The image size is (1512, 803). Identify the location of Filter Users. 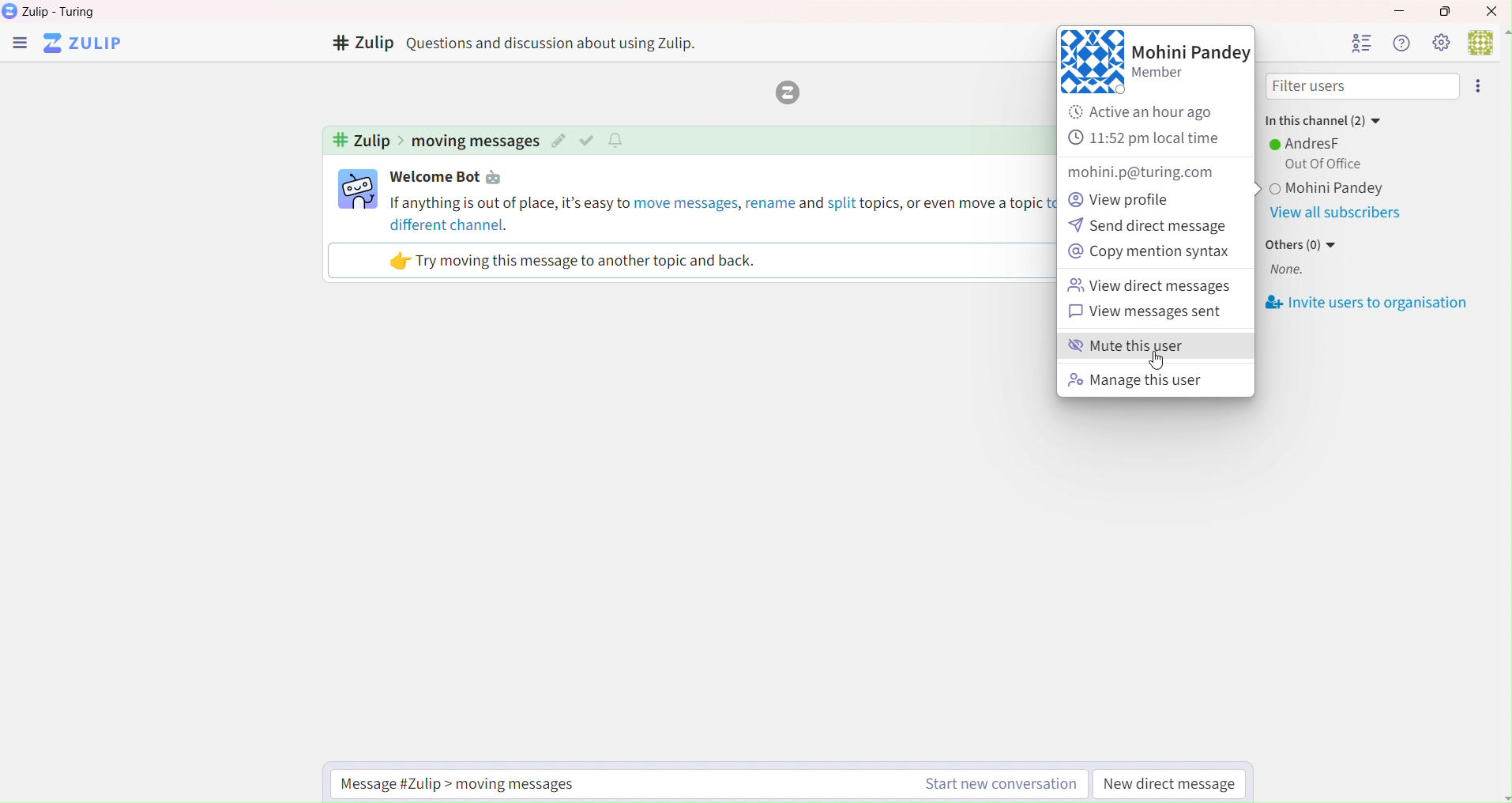
(1363, 87).